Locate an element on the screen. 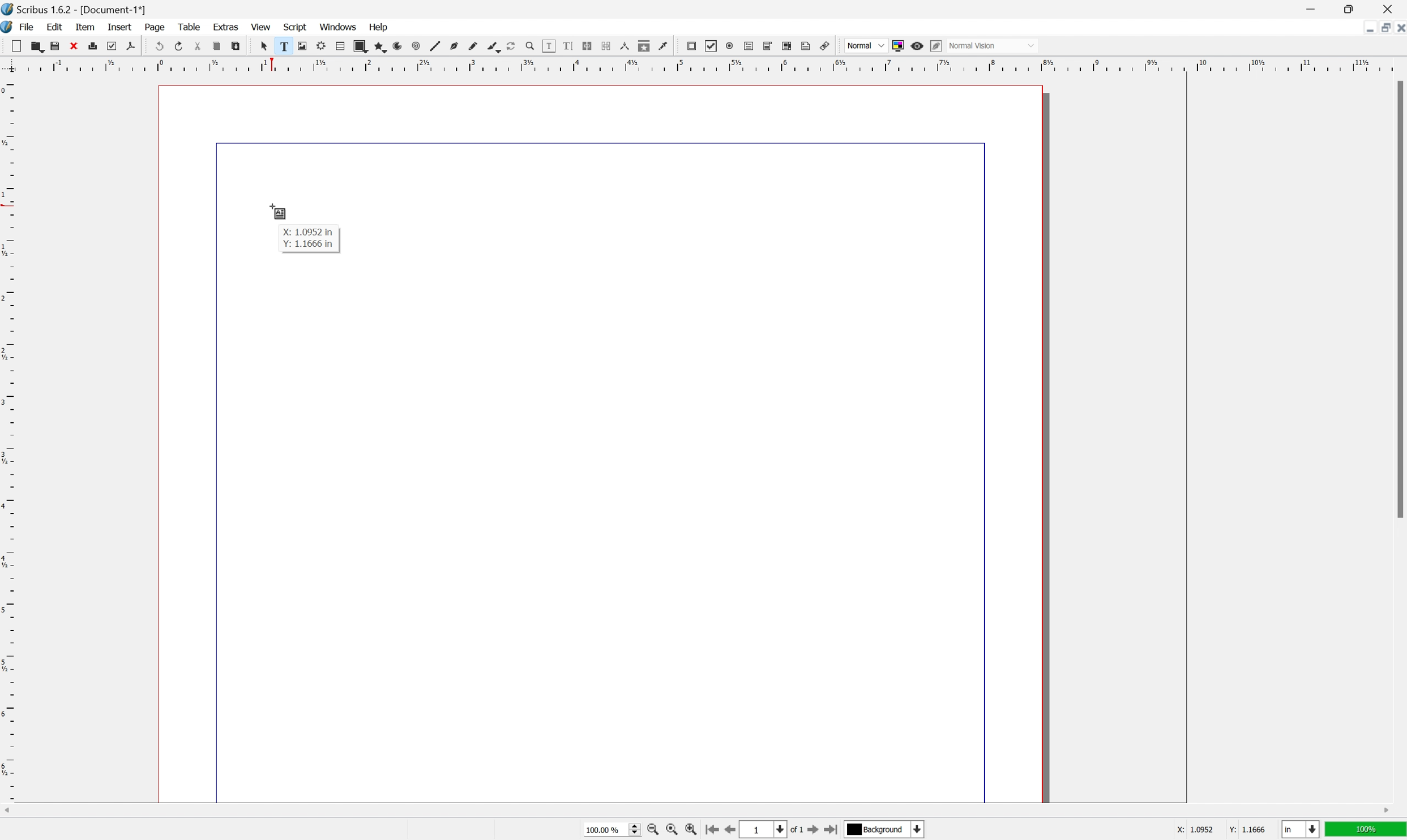 This screenshot has width=1407, height=840. redo is located at coordinates (179, 45).